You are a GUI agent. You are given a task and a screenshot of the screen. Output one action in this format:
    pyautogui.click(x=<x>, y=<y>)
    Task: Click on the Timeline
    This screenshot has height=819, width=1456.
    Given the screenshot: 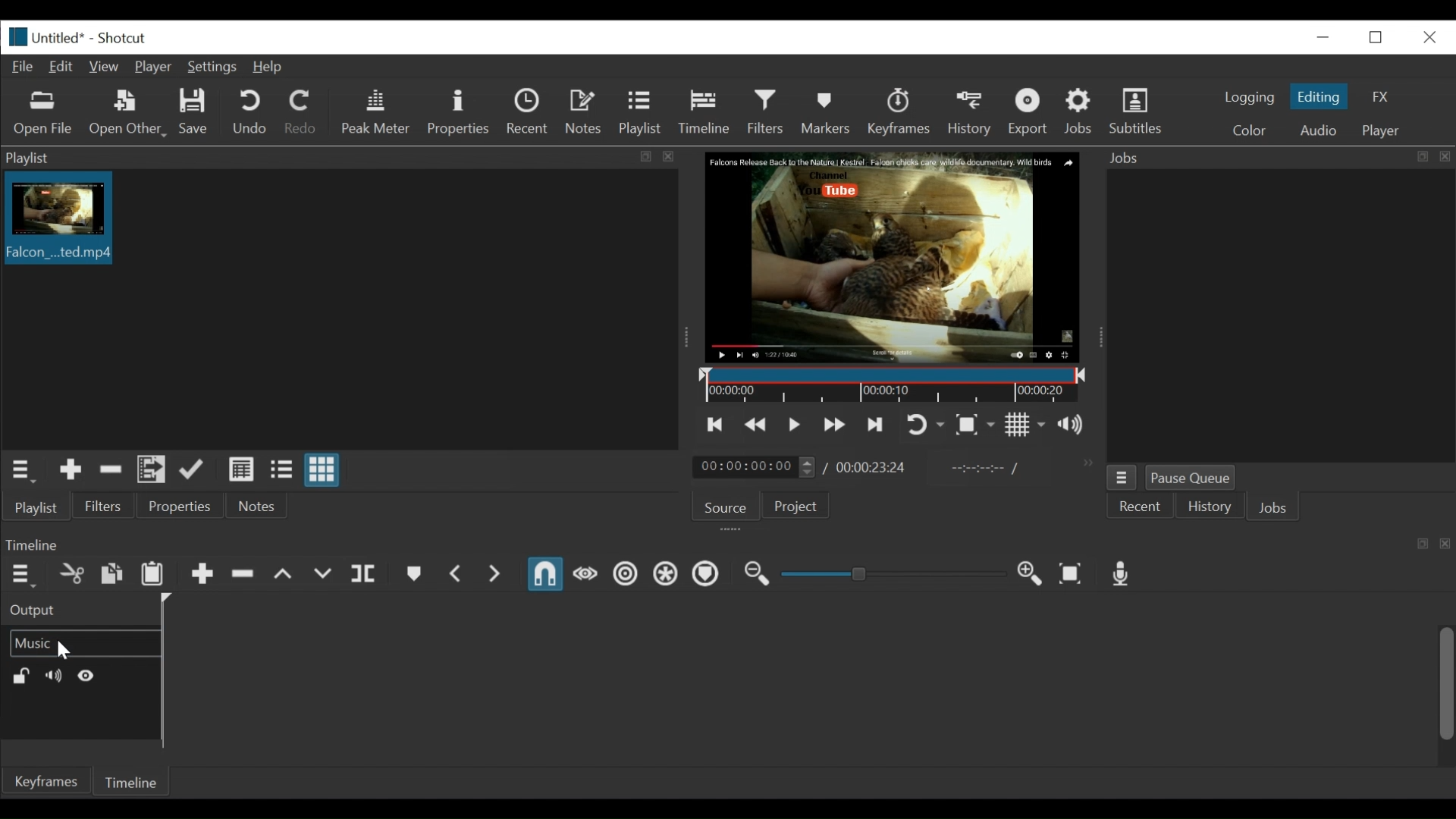 What is the action you would take?
    pyautogui.click(x=893, y=385)
    